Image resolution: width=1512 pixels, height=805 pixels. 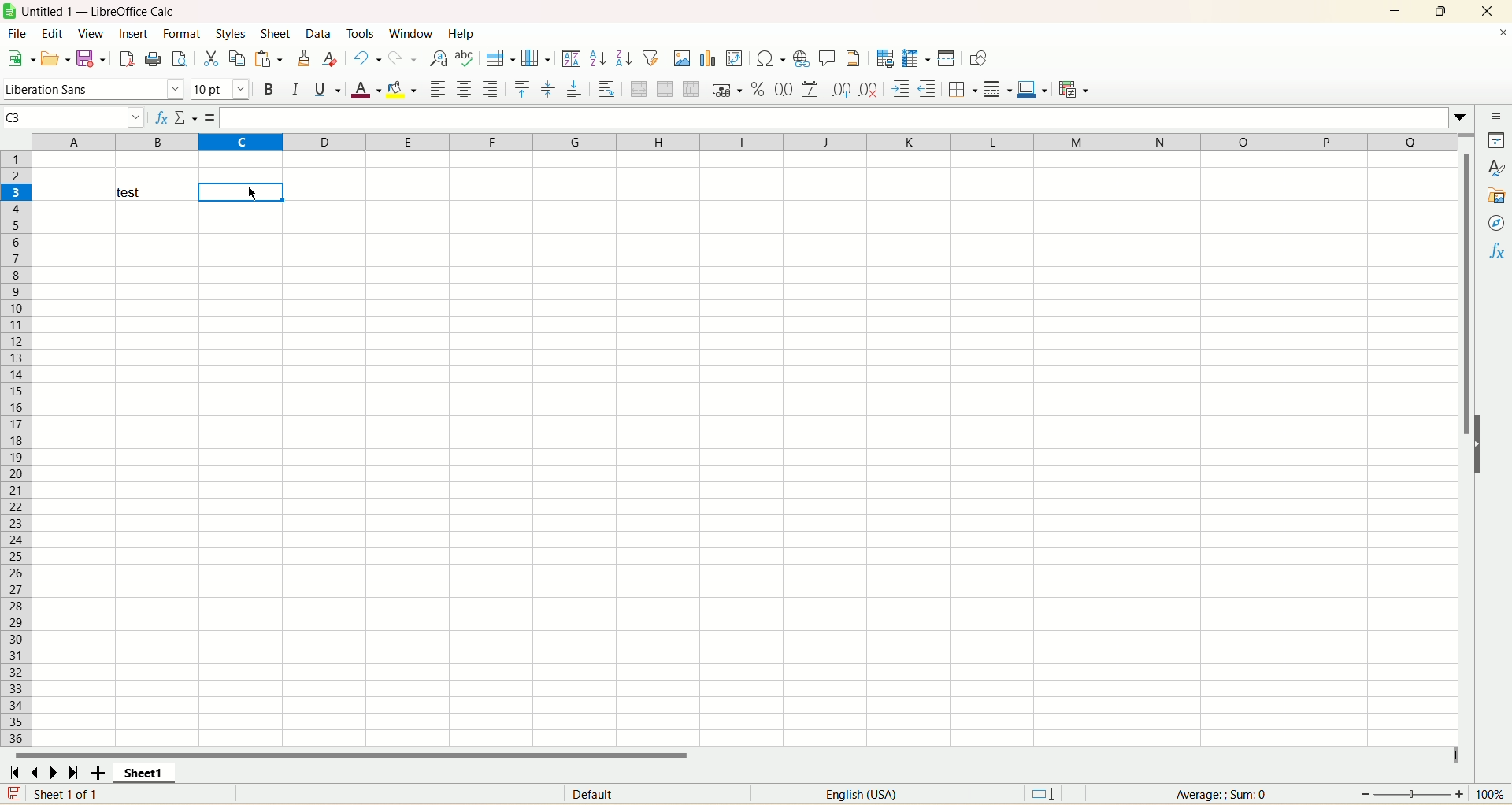 I want to click on column divisions , so click(x=871, y=142).